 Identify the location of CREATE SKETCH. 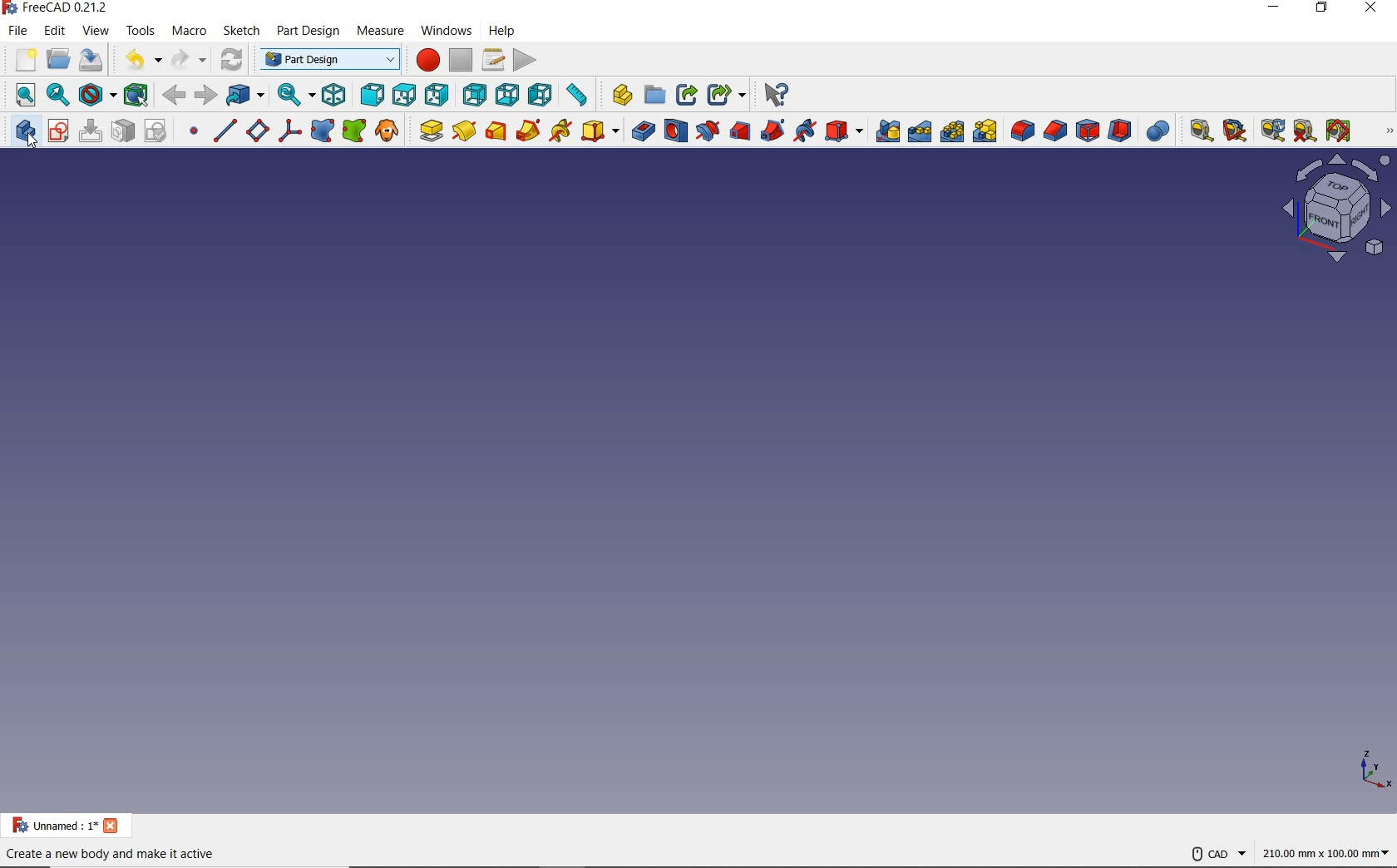
(57, 131).